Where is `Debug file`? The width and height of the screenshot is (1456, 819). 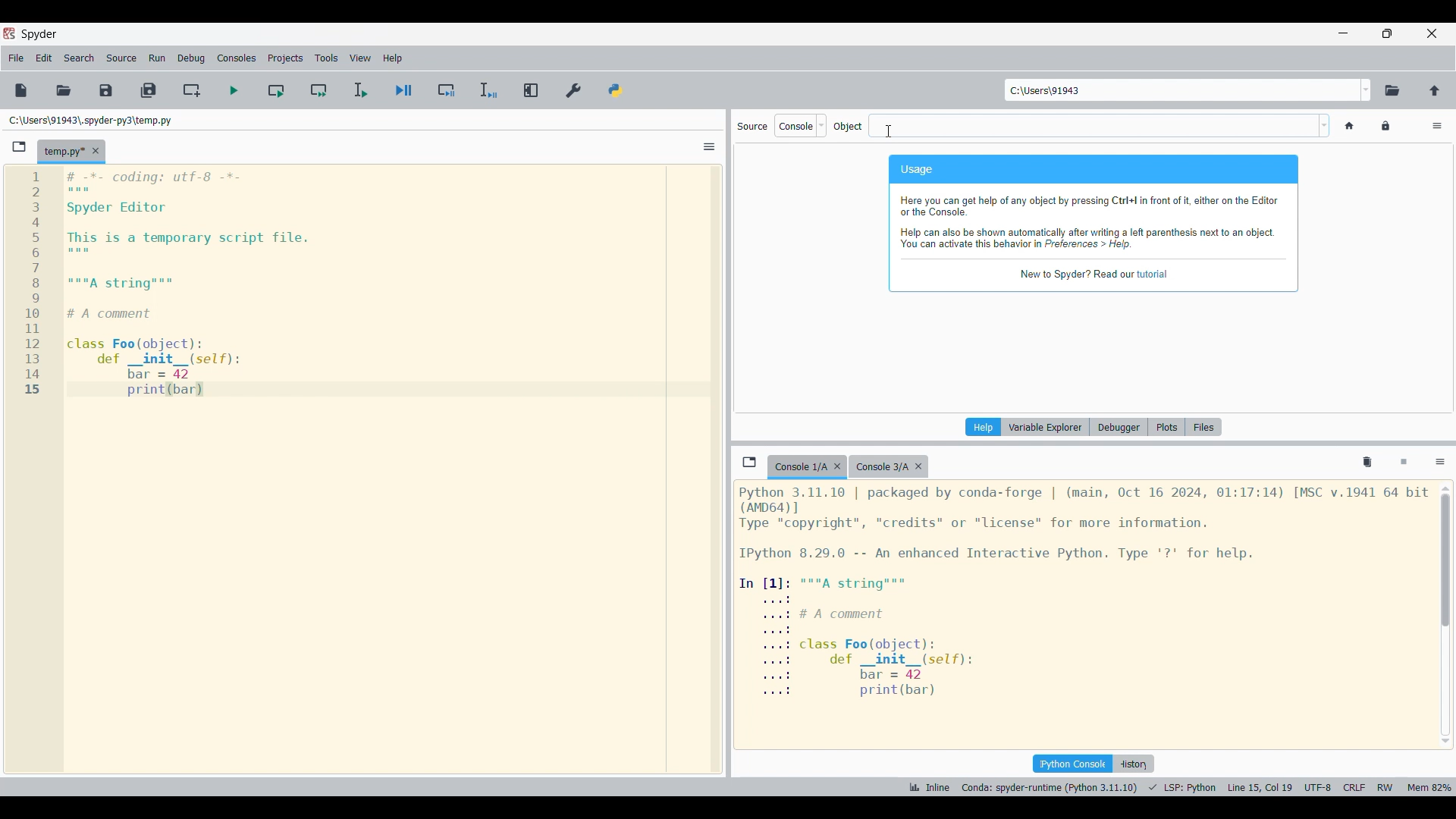
Debug file is located at coordinates (403, 90).